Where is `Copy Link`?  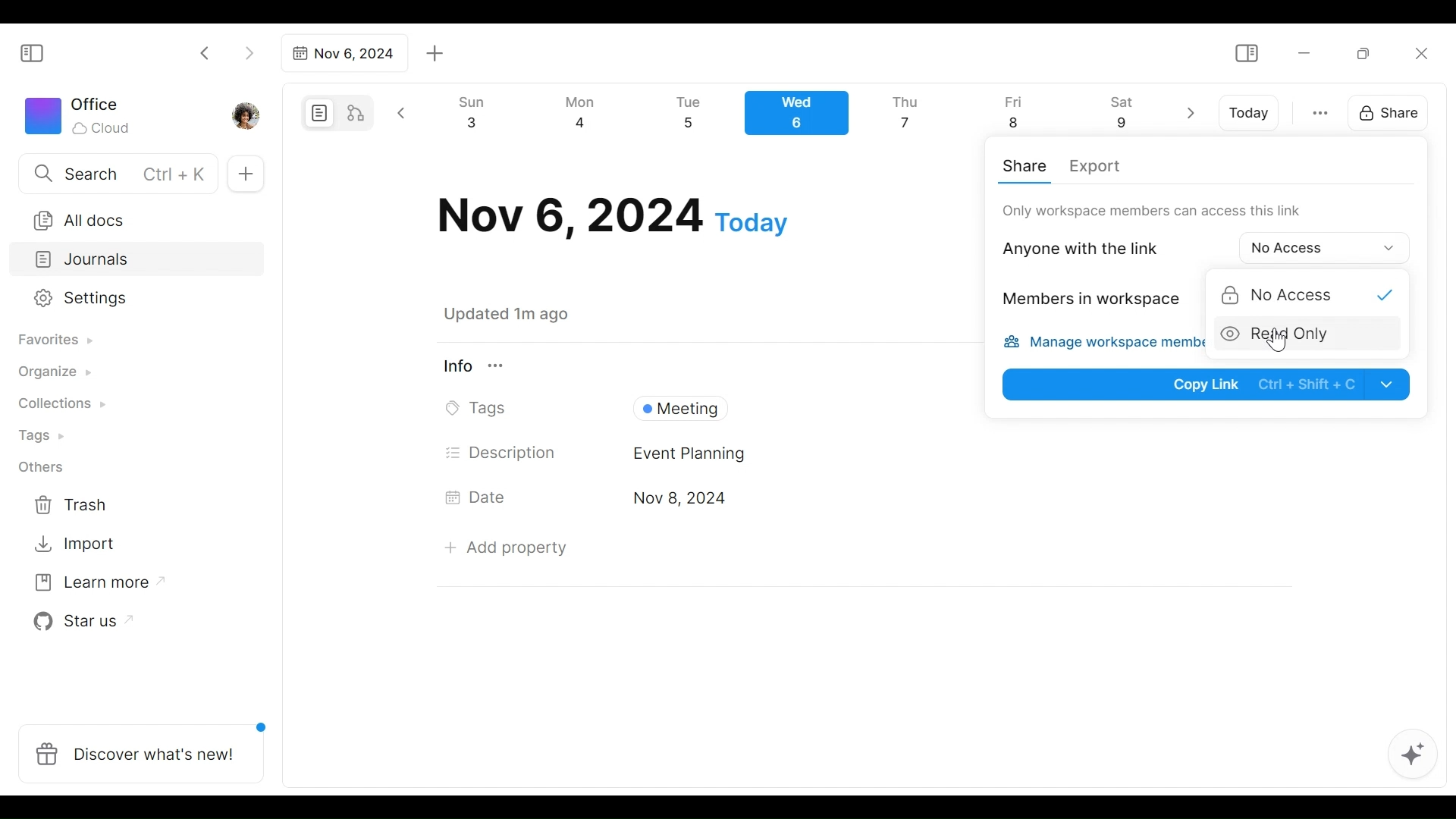 Copy Link is located at coordinates (1208, 384).